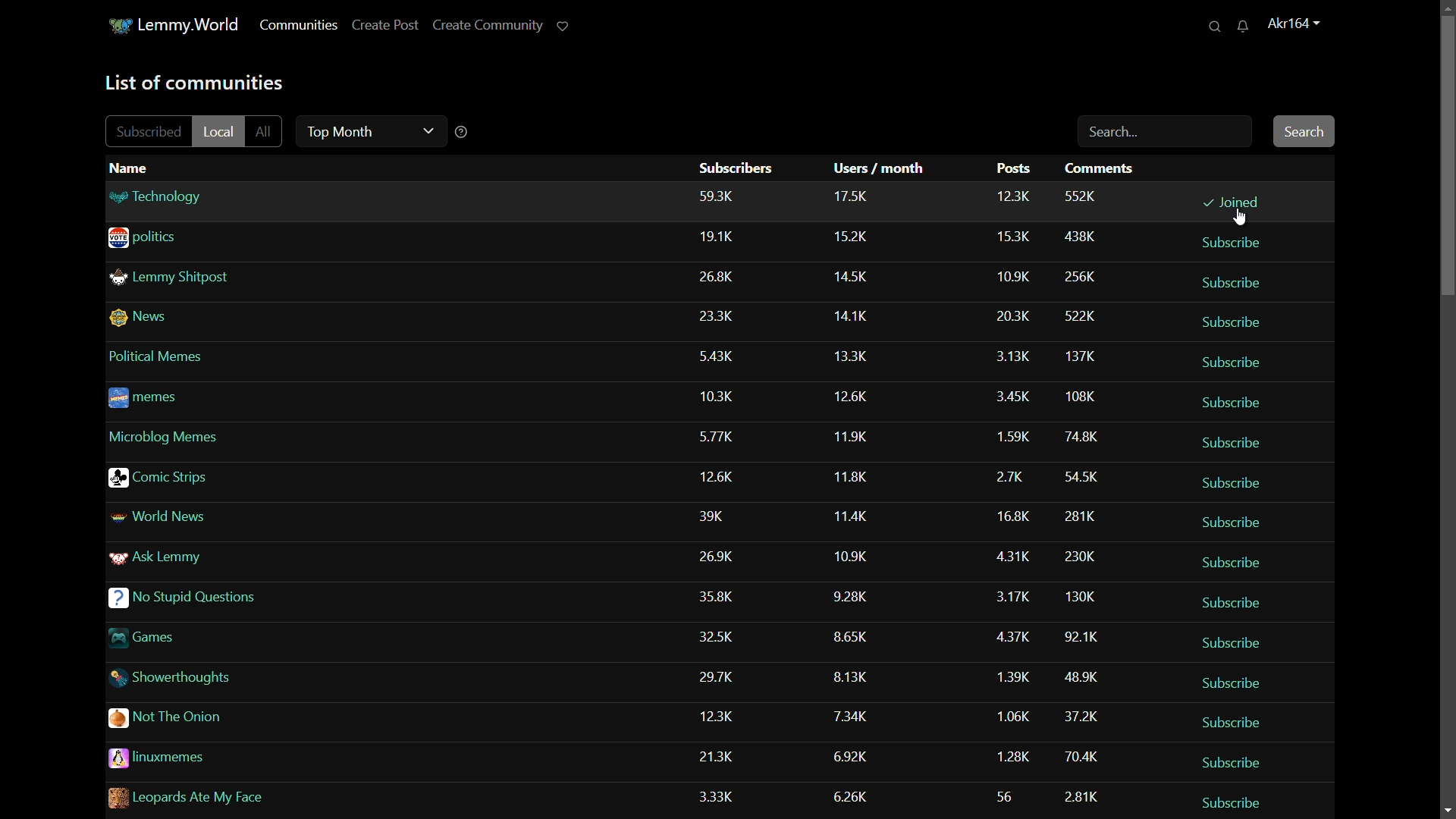  What do you see at coordinates (268, 130) in the screenshot?
I see `all` at bounding box center [268, 130].